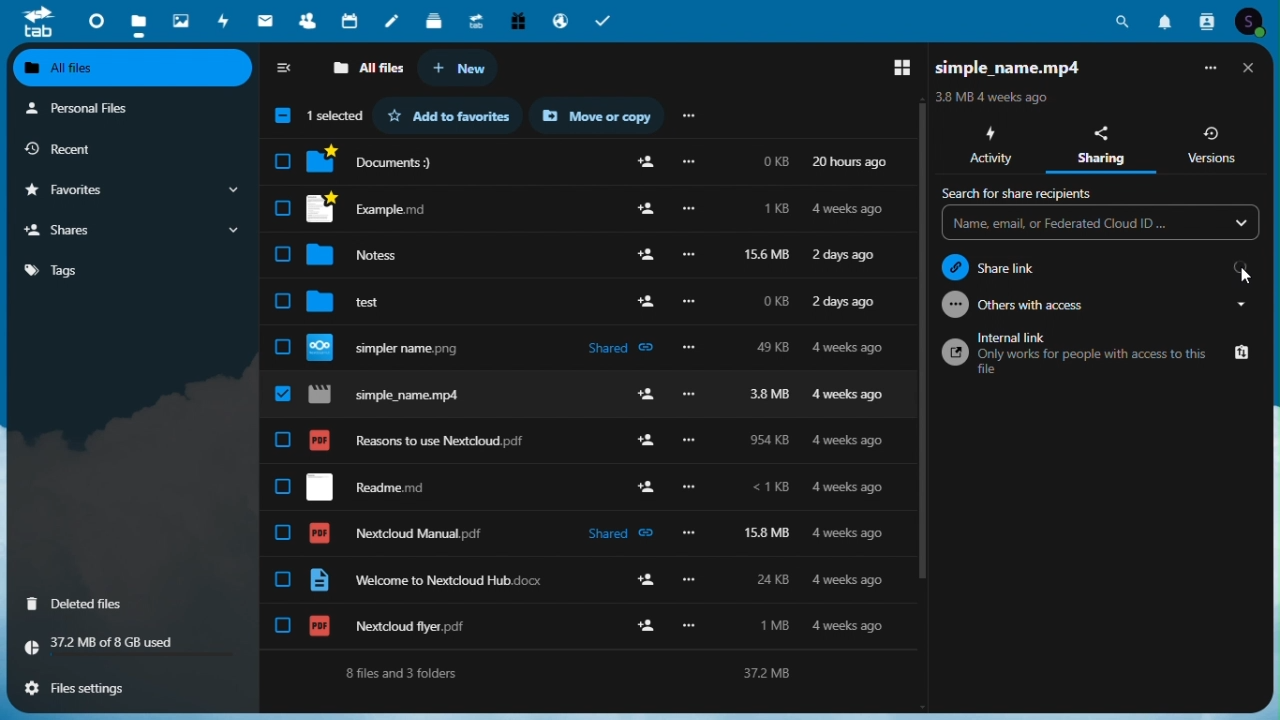 The image size is (1280, 720). I want to click on Deleted files, so click(88, 603).